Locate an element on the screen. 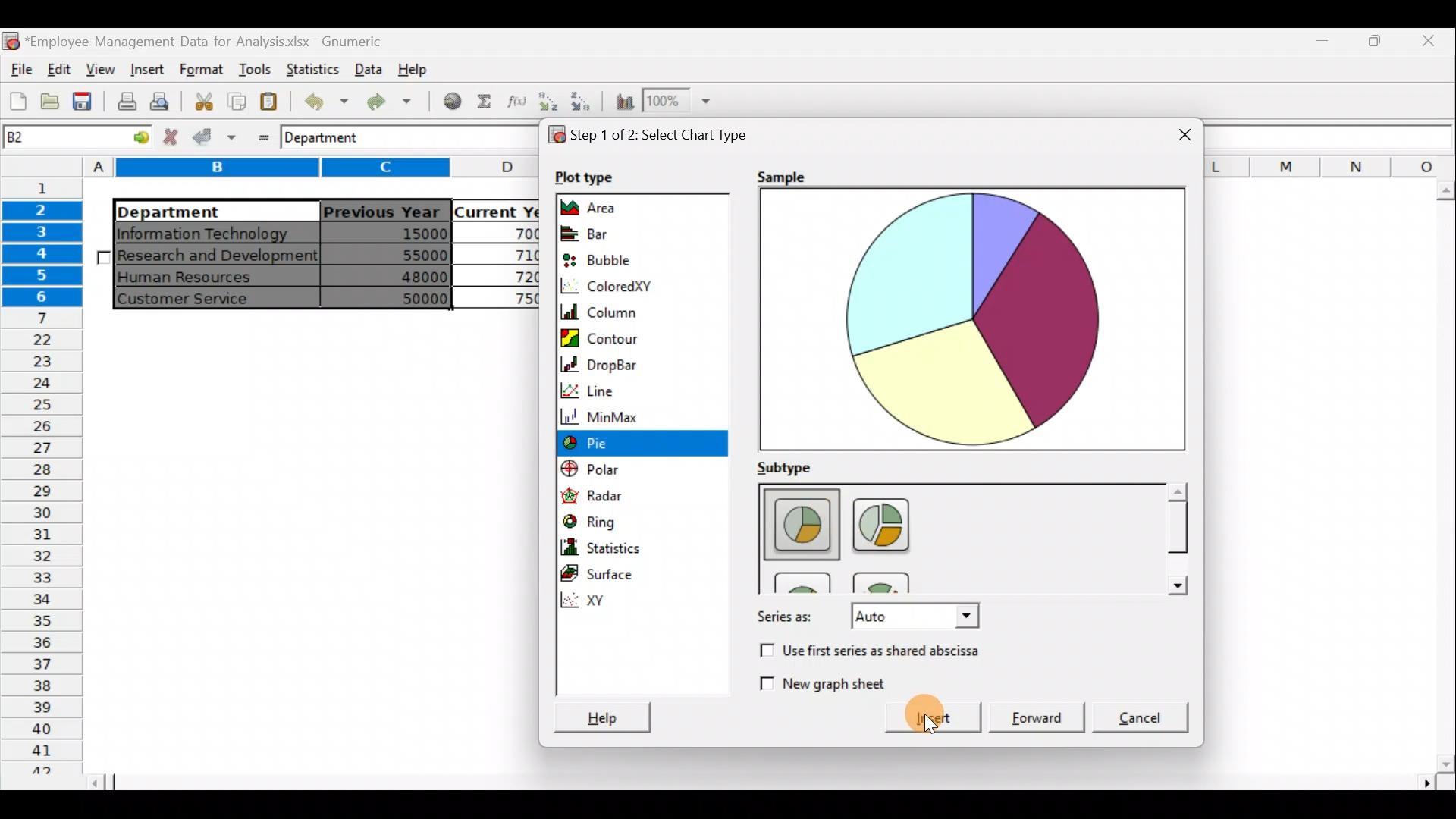 The image size is (1456, 819). Cursor on insert is located at coordinates (947, 717).